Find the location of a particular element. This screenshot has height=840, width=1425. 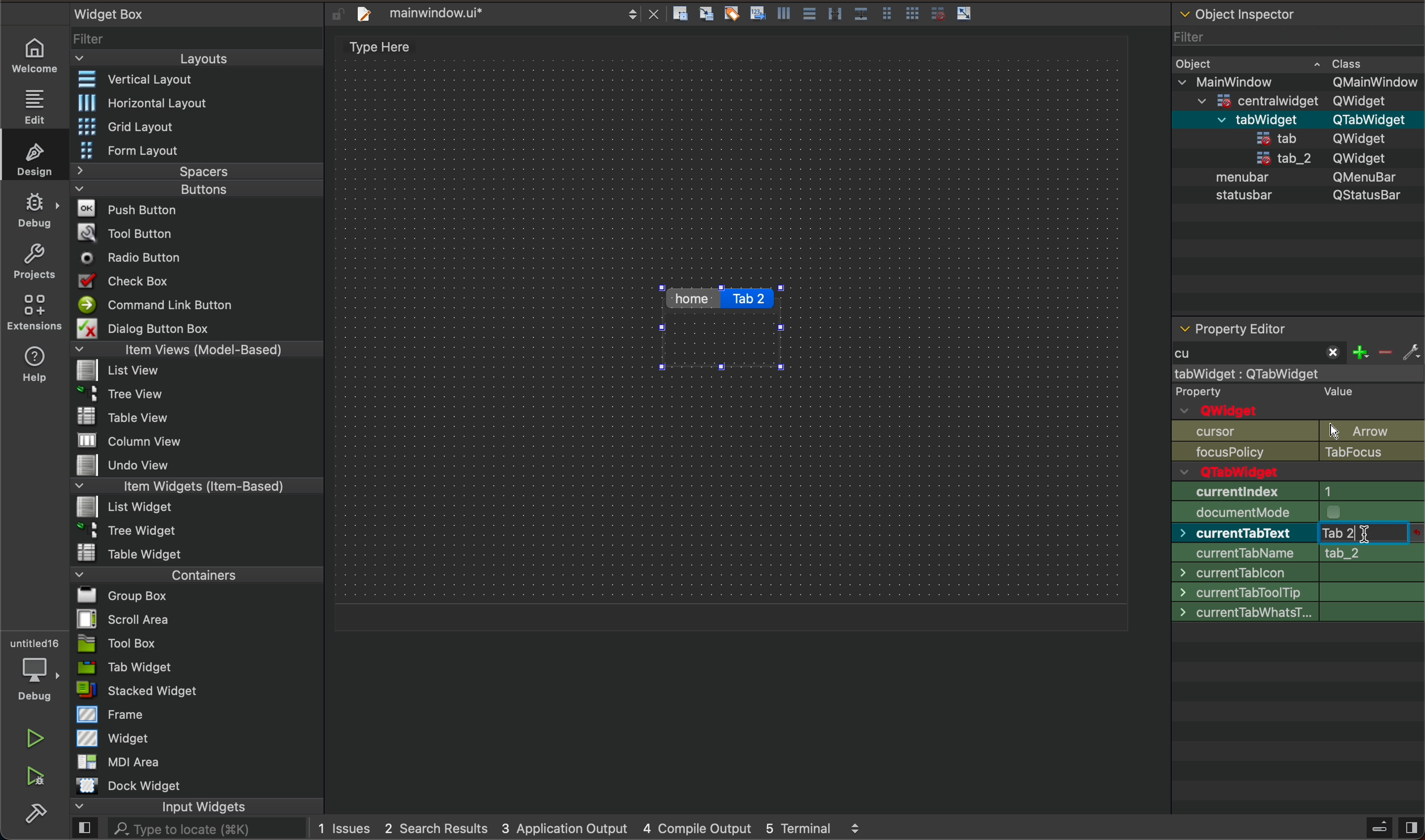

Tab Widget is located at coordinates (129, 666).